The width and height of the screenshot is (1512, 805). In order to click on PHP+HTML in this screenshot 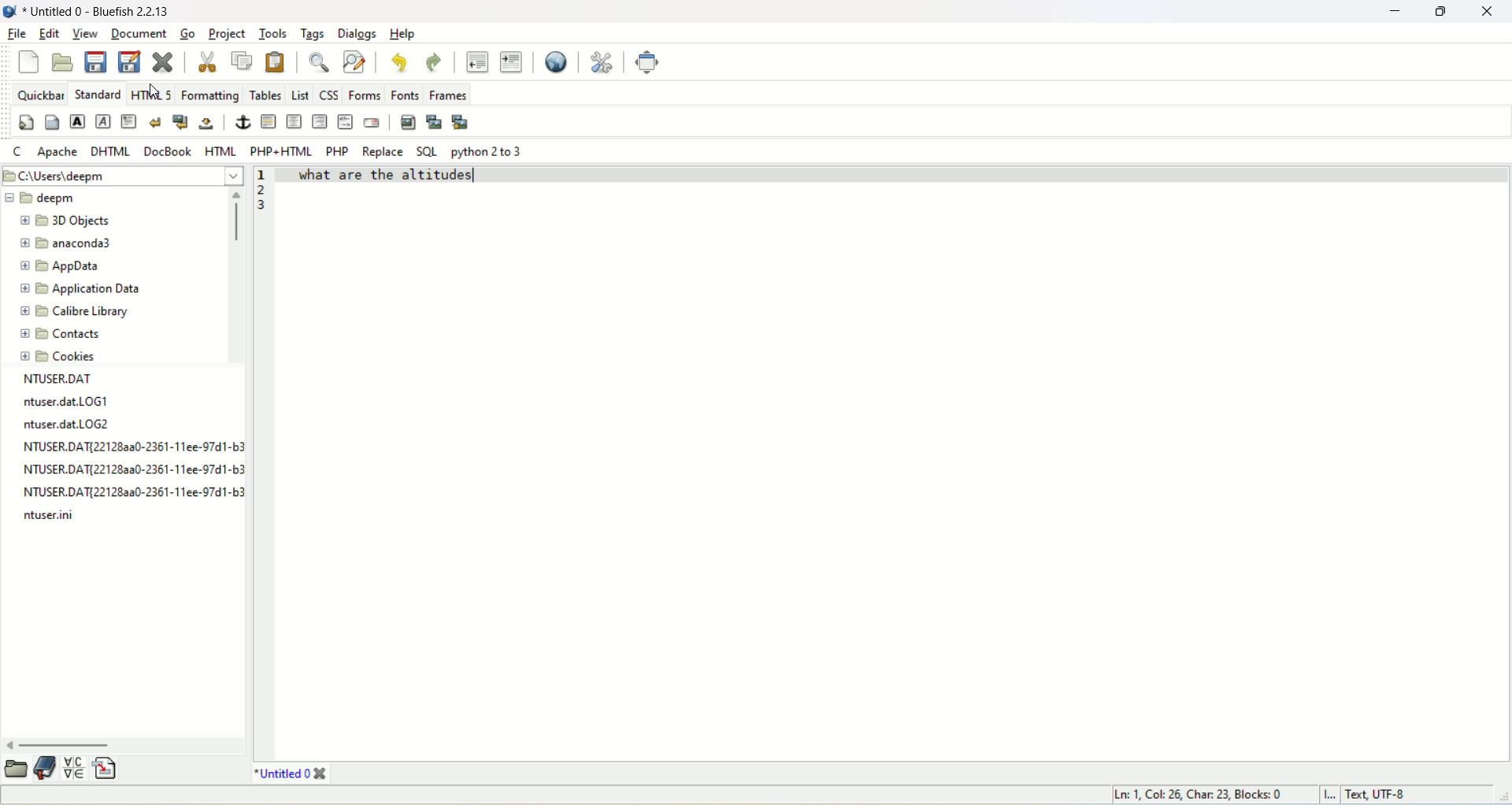, I will do `click(281, 152)`.